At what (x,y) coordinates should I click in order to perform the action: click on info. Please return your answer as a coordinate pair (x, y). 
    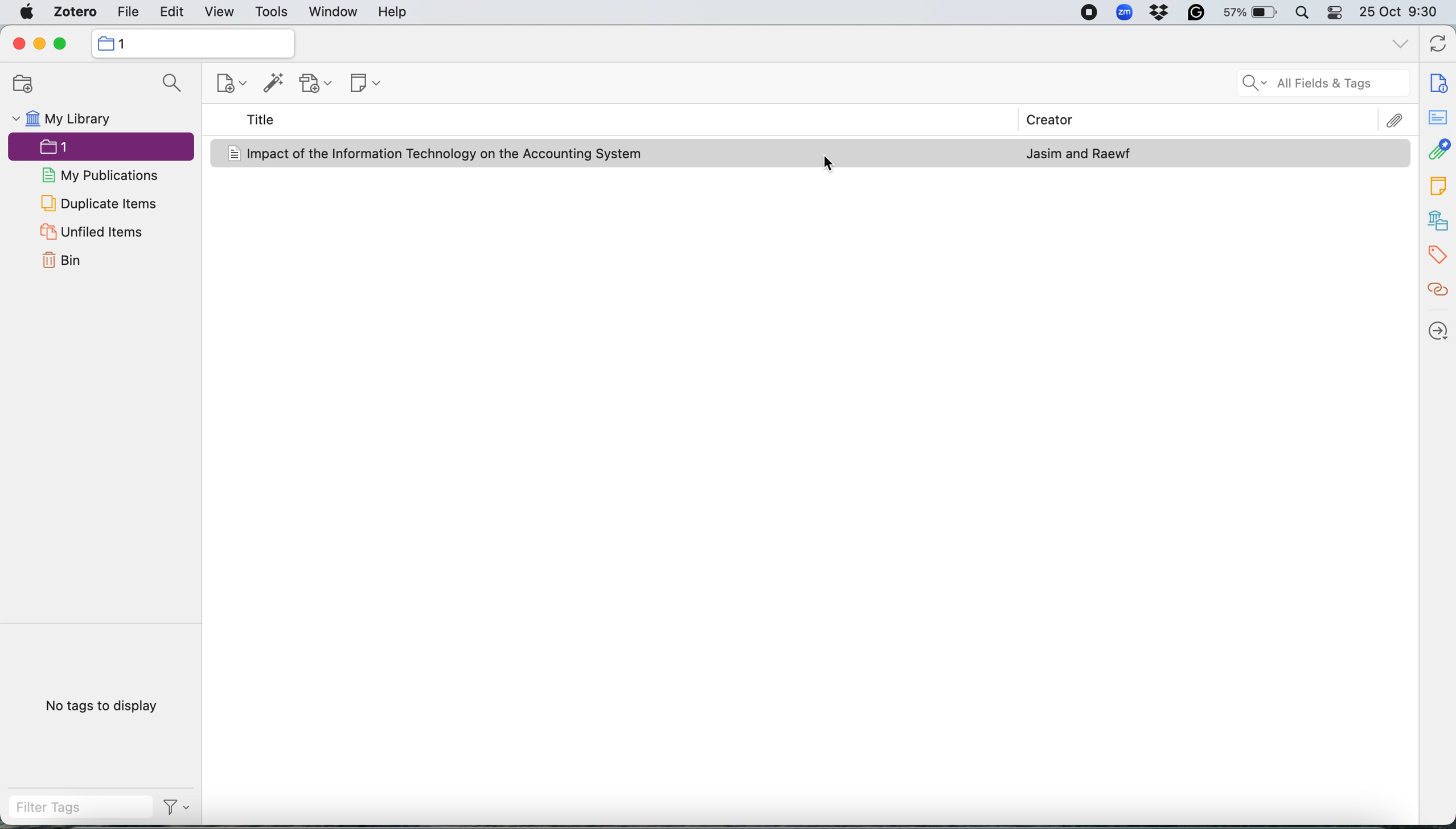
    Looking at the image, I should click on (1439, 80).